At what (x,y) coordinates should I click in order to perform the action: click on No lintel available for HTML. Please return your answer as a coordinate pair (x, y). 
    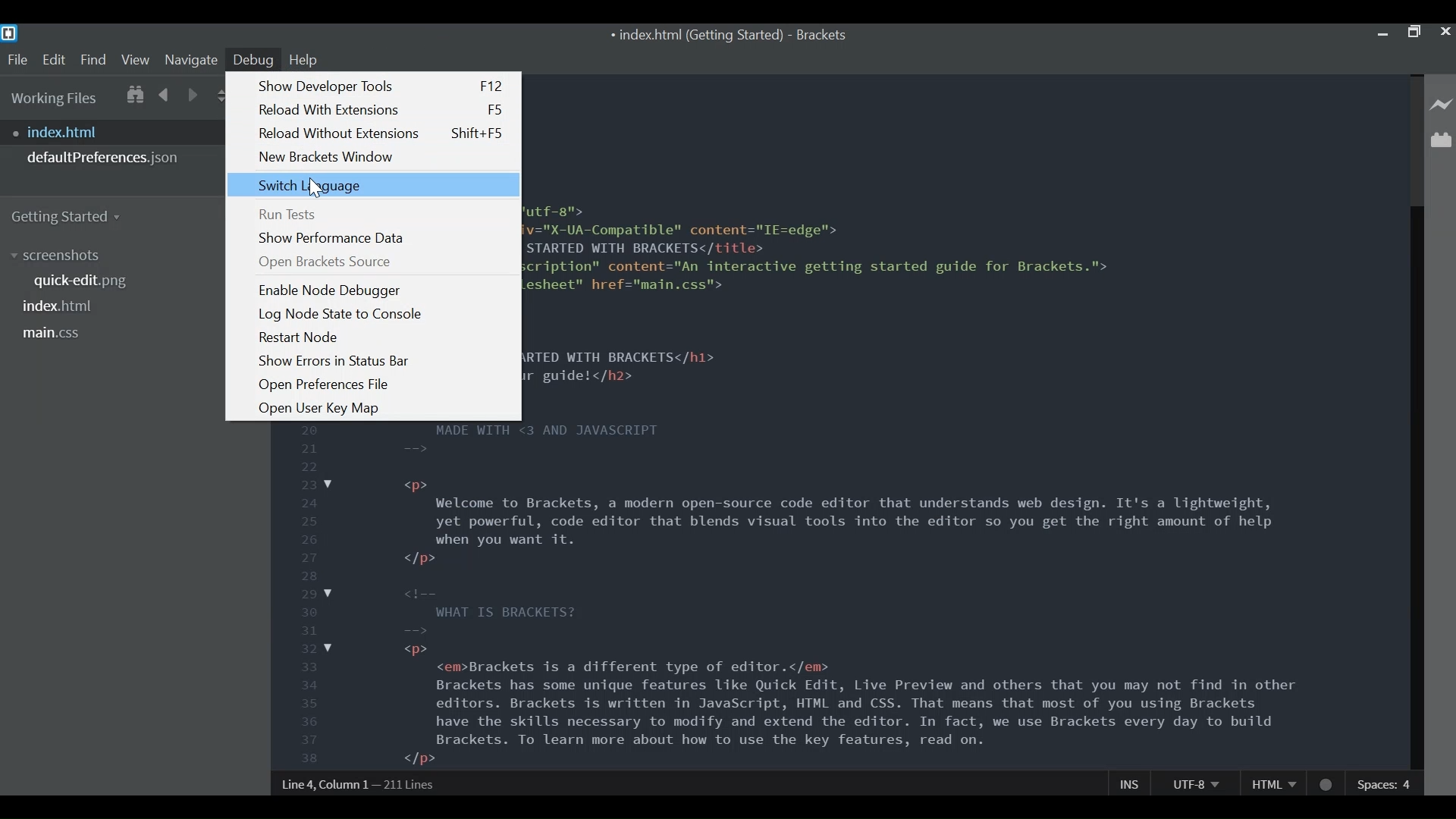
    Looking at the image, I should click on (1327, 785).